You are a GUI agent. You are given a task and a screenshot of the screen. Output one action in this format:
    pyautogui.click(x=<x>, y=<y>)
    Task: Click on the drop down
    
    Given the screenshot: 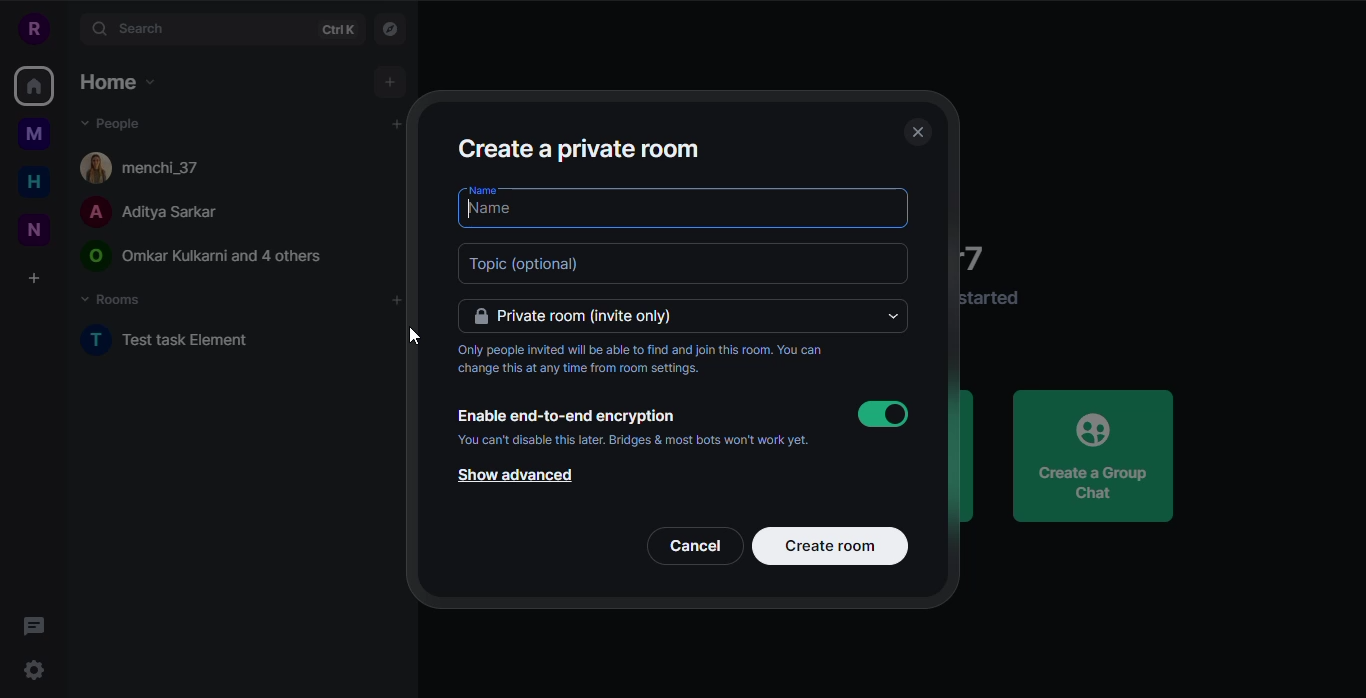 What is the action you would take?
    pyautogui.click(x=896, y=317)
    